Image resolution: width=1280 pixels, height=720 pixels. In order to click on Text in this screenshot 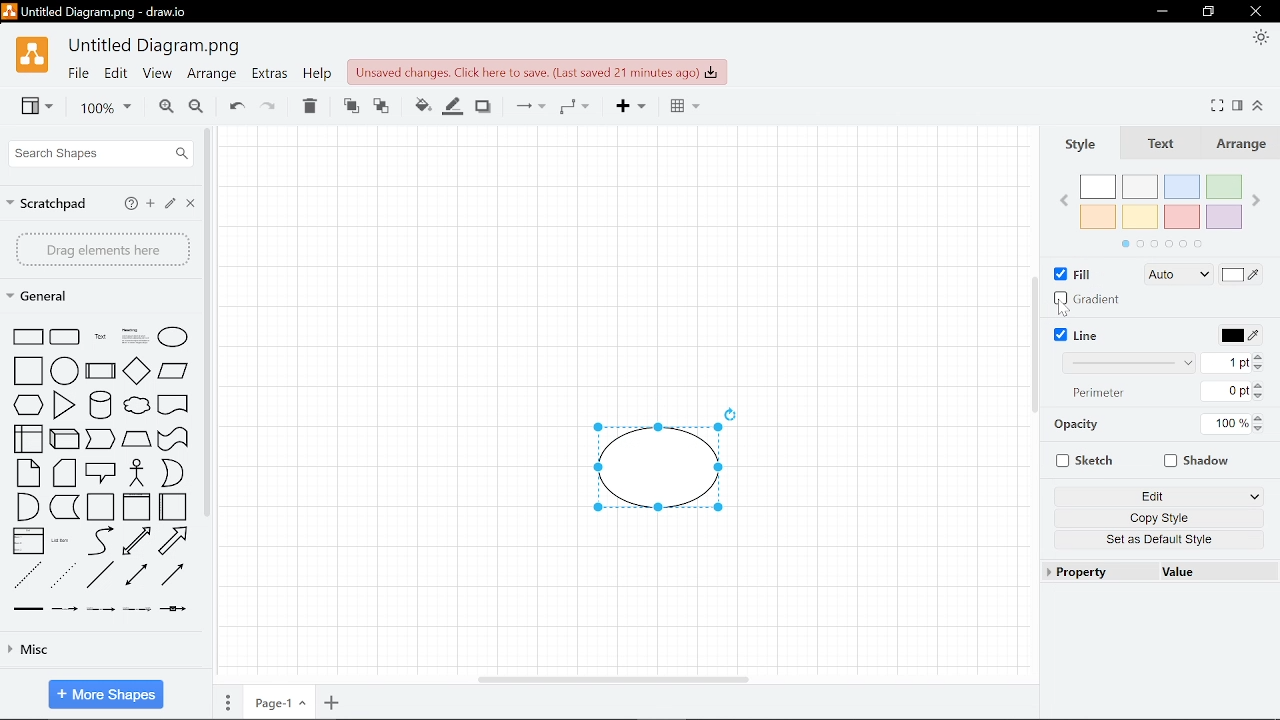, I will do `click(1158, 146)`.